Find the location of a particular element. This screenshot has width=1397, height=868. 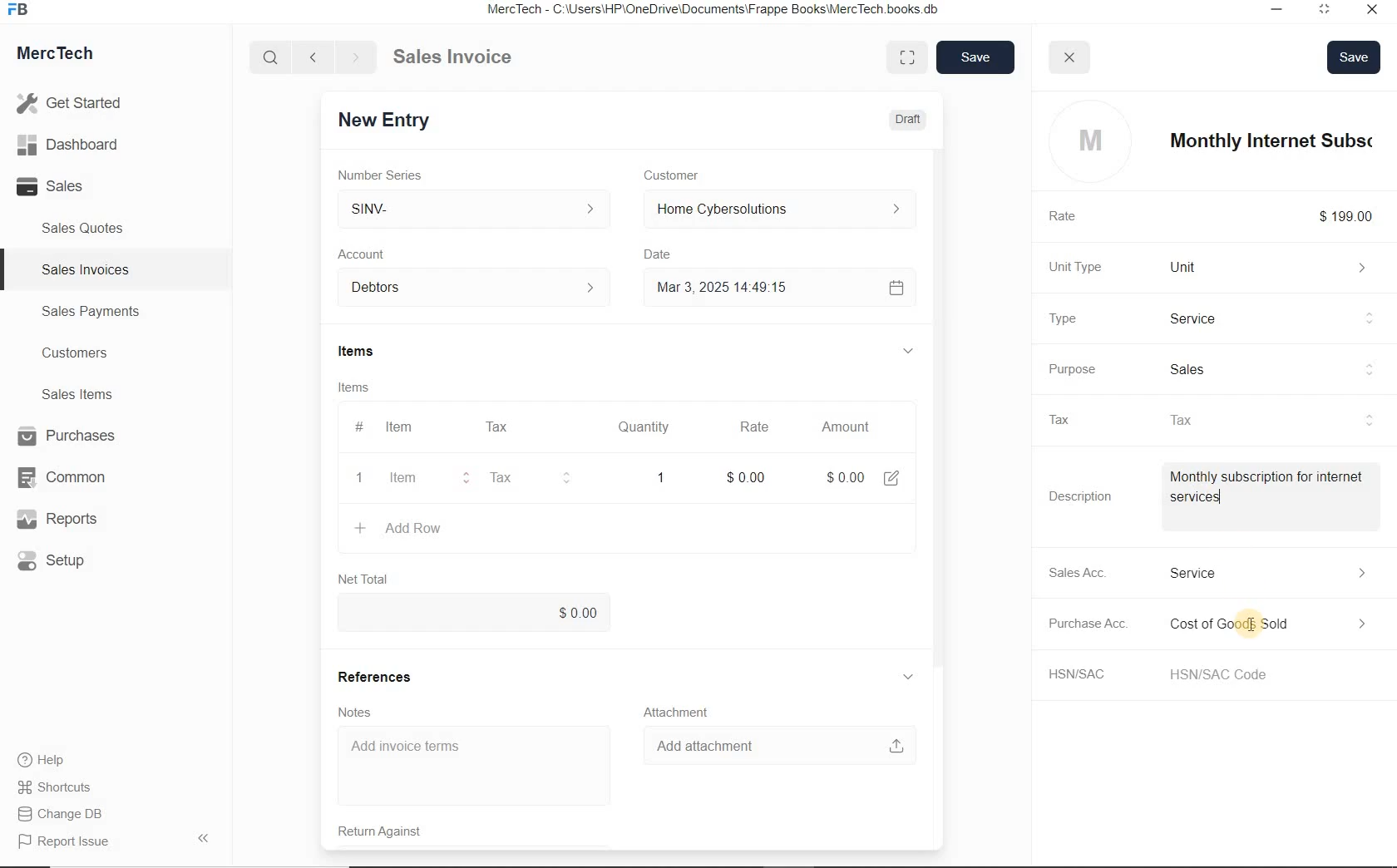

item line number is located at coordinates (354, 455).